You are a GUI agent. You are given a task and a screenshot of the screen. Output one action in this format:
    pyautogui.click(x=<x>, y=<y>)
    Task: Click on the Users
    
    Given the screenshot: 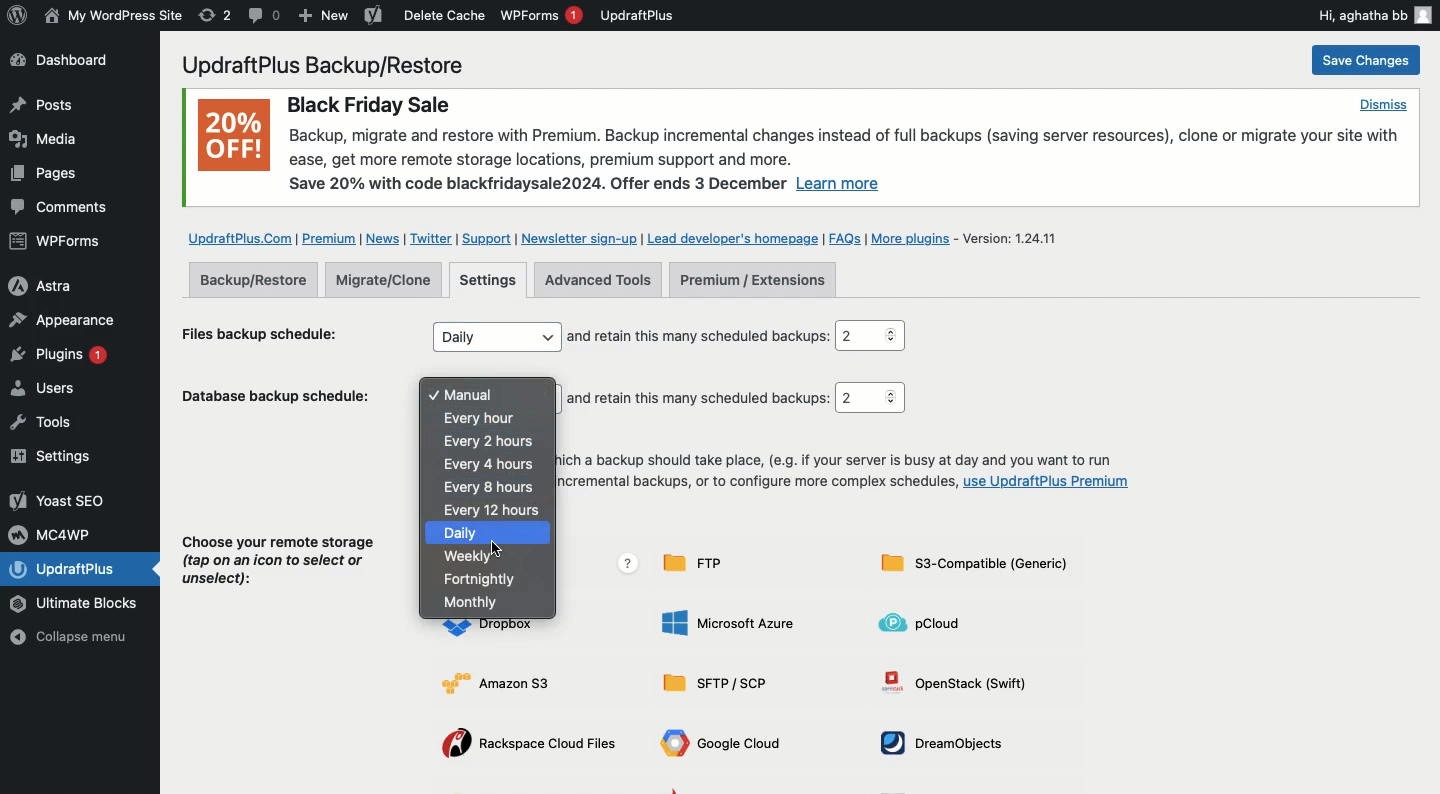 What is the action you would take?
    pyautogui.click(x=63, y=391)
    